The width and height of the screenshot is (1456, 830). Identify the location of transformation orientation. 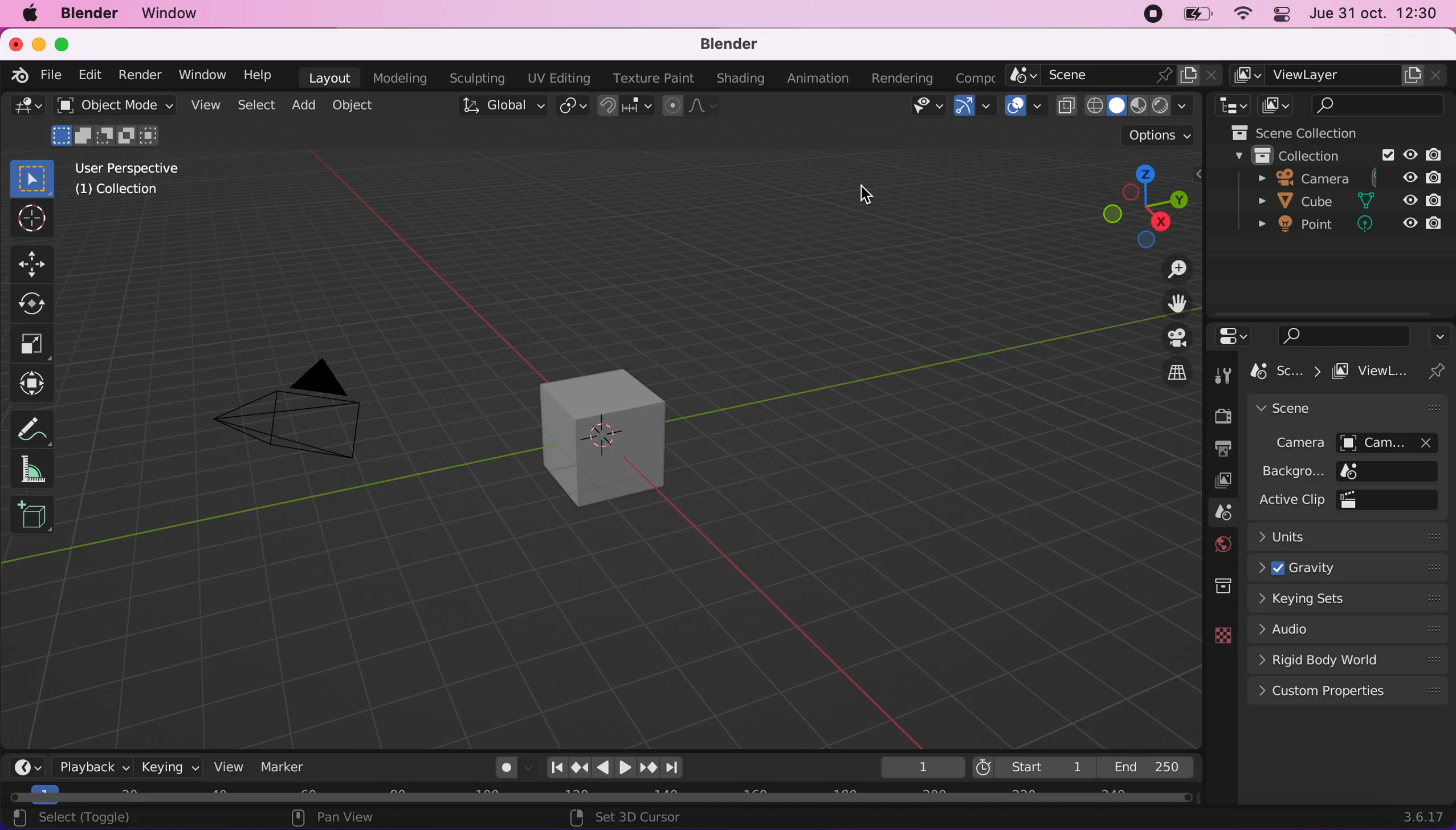
(500, 106).